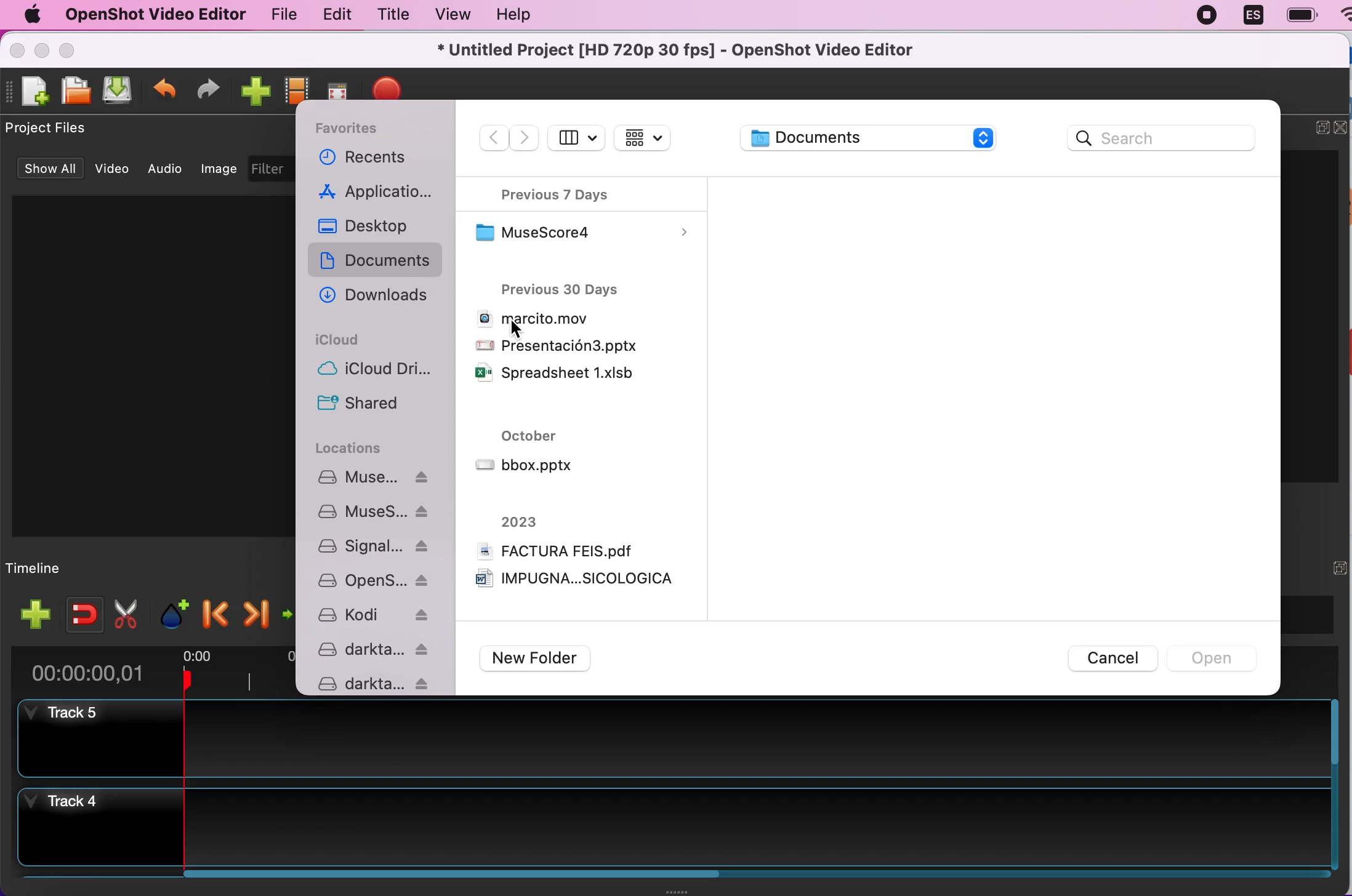 Image resolution: width=1352 pixels, height=896 pixels. I want to click on redo, so click(209, 90).